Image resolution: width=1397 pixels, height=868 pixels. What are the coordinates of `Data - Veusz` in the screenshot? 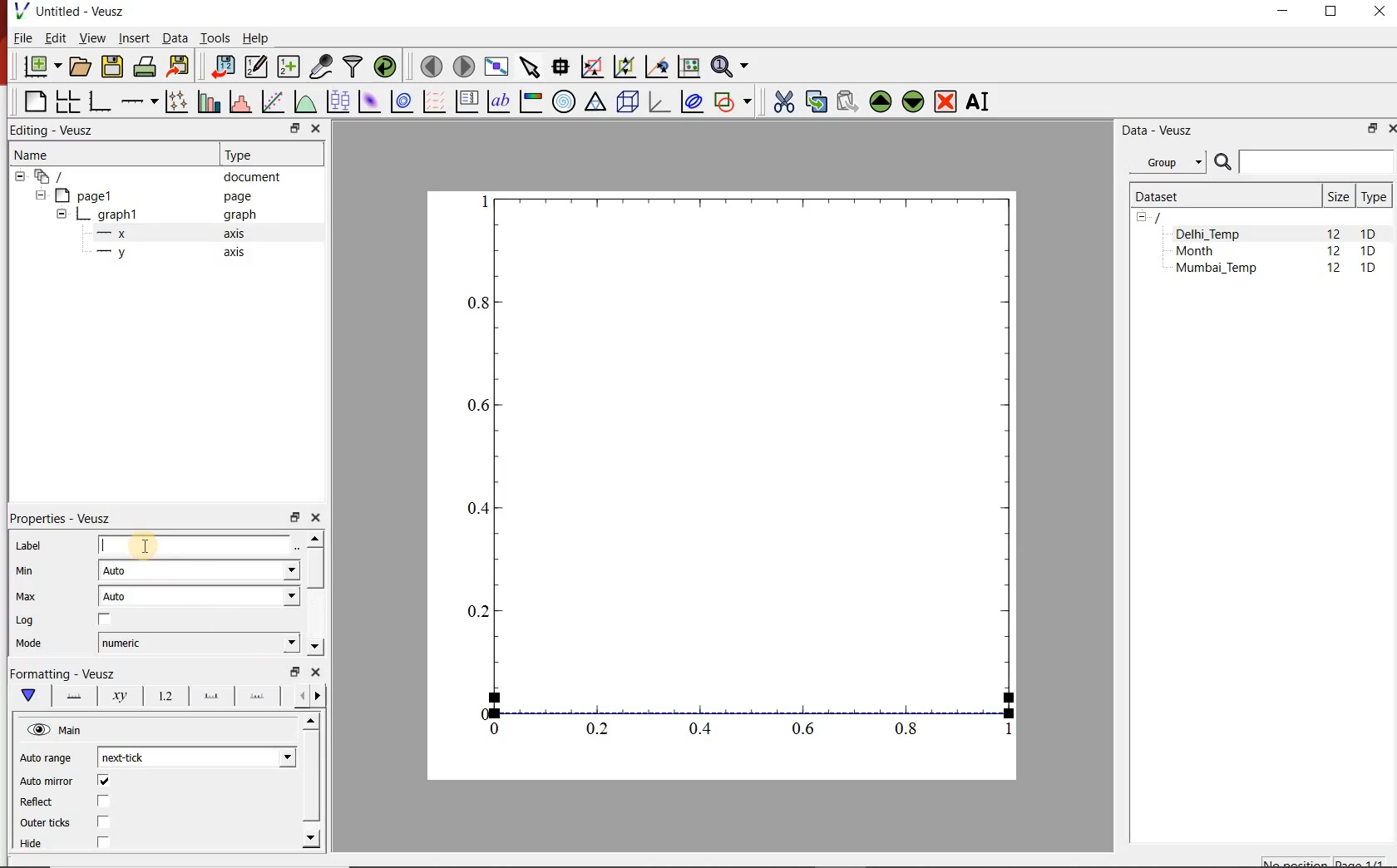 It's located at (1160, 131).